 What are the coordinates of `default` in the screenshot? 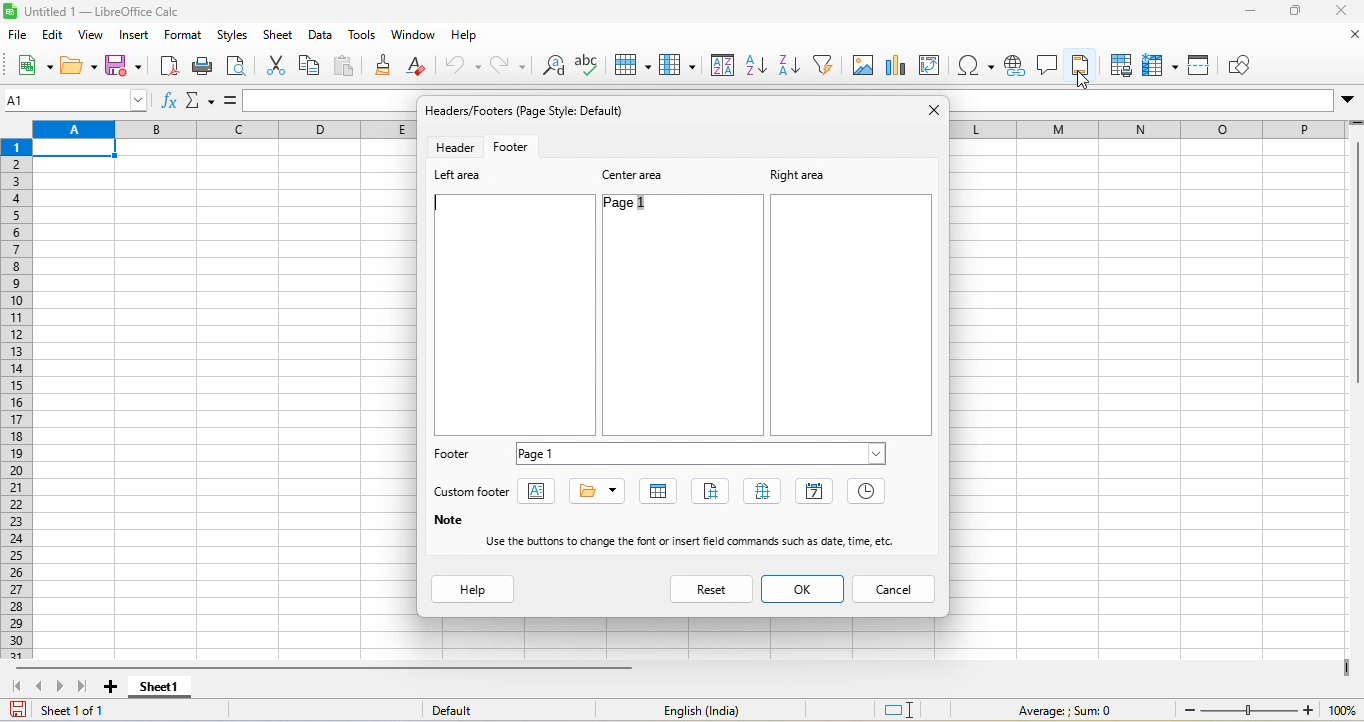 It's located at (462, 710).